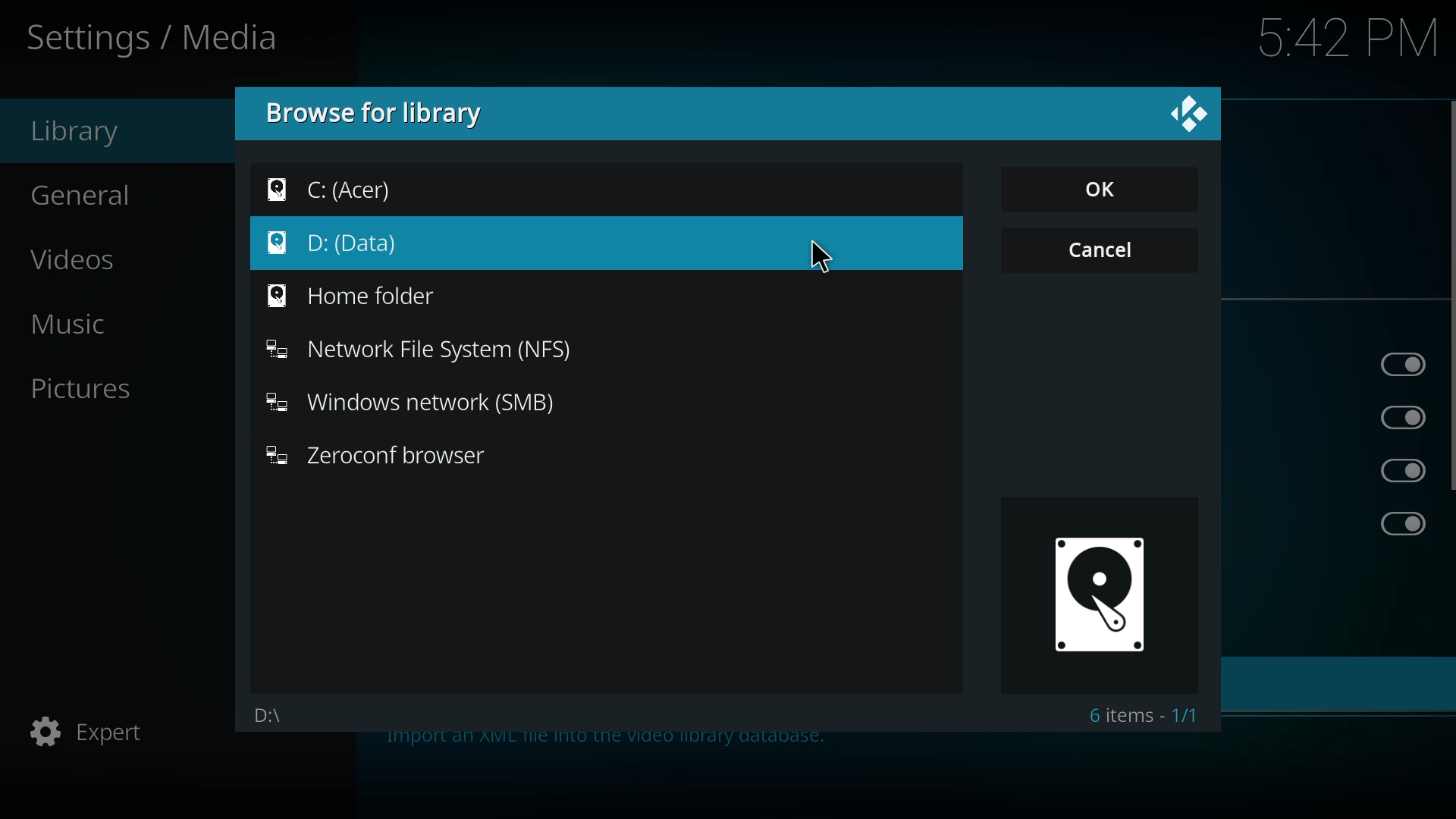  What do you see at coordinates (337, 190) in the screenshot?
I see `c` at bounding box center [337, 190].